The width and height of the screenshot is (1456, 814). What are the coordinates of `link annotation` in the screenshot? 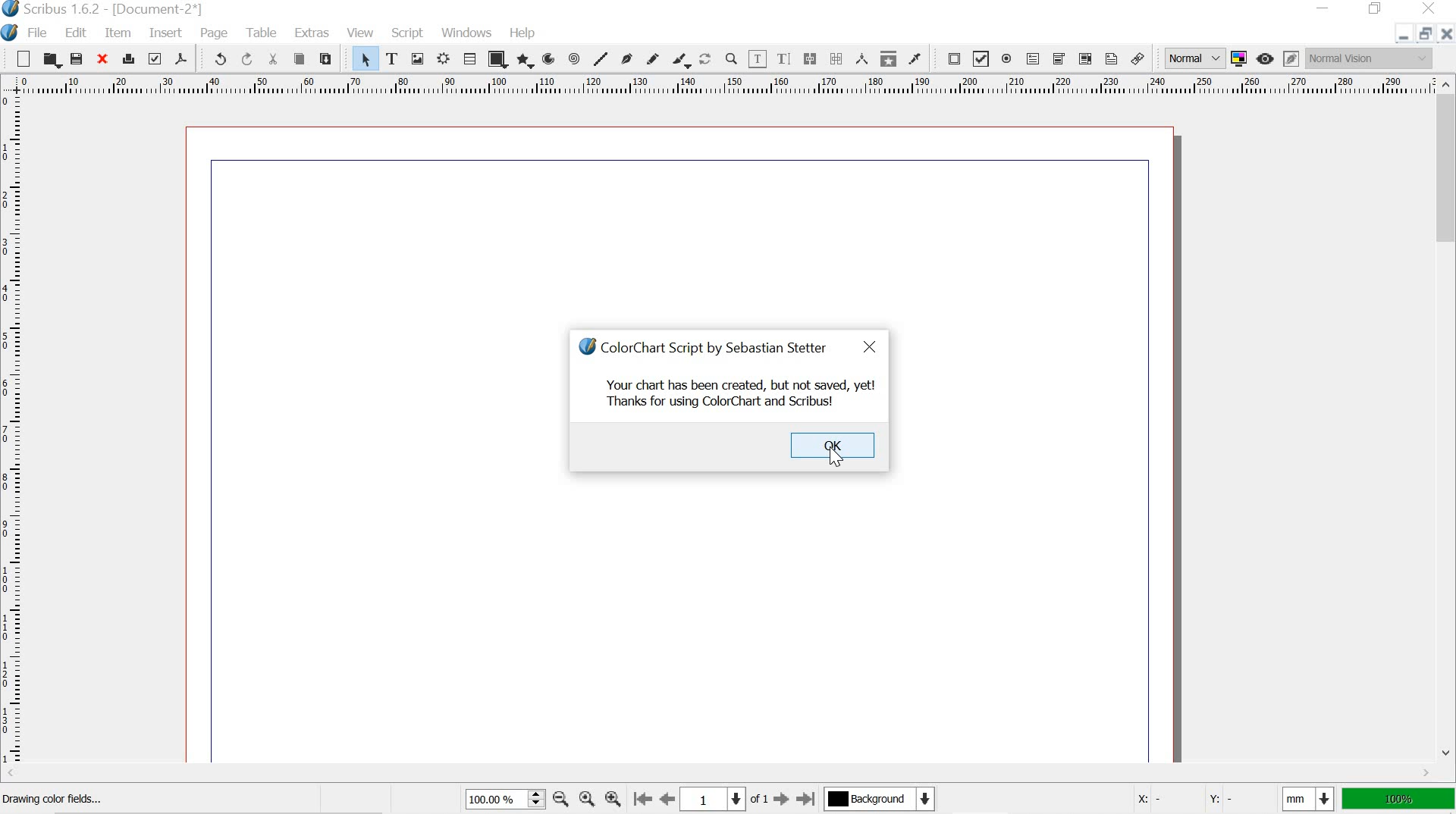 It's located at (1140, 59).